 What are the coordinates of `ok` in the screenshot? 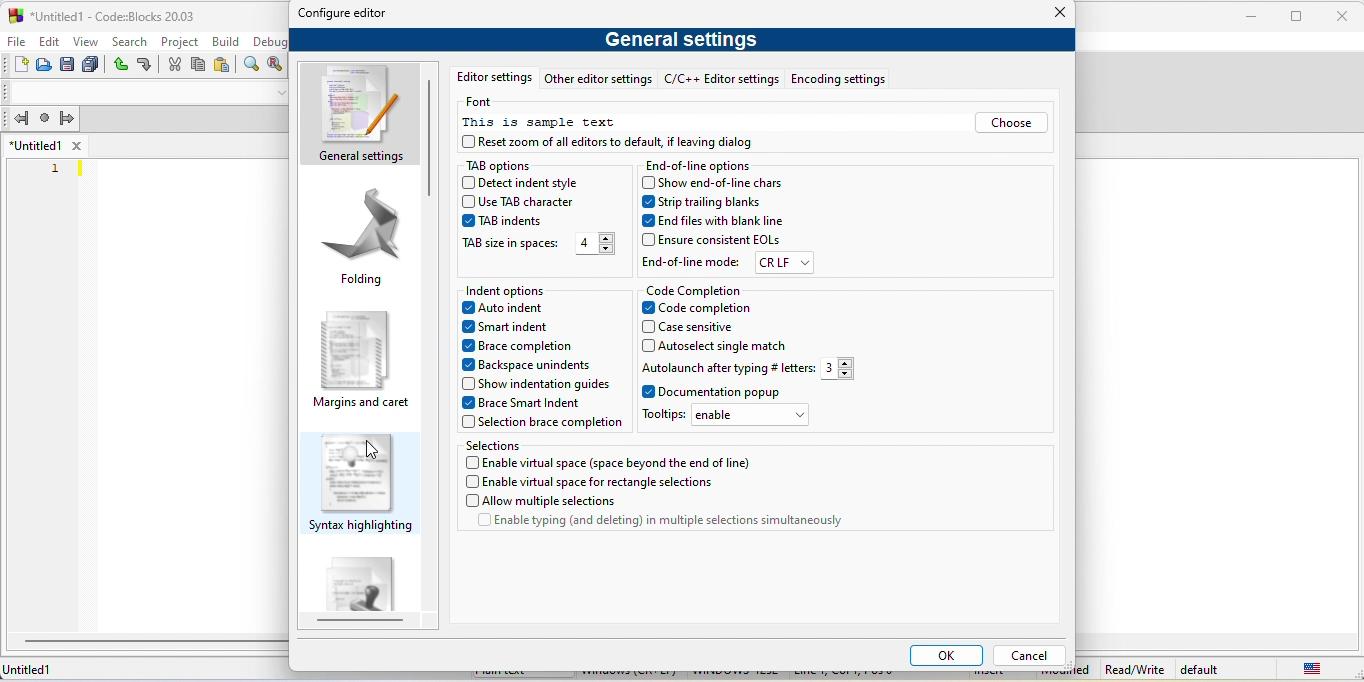 It's located at (946, 655).